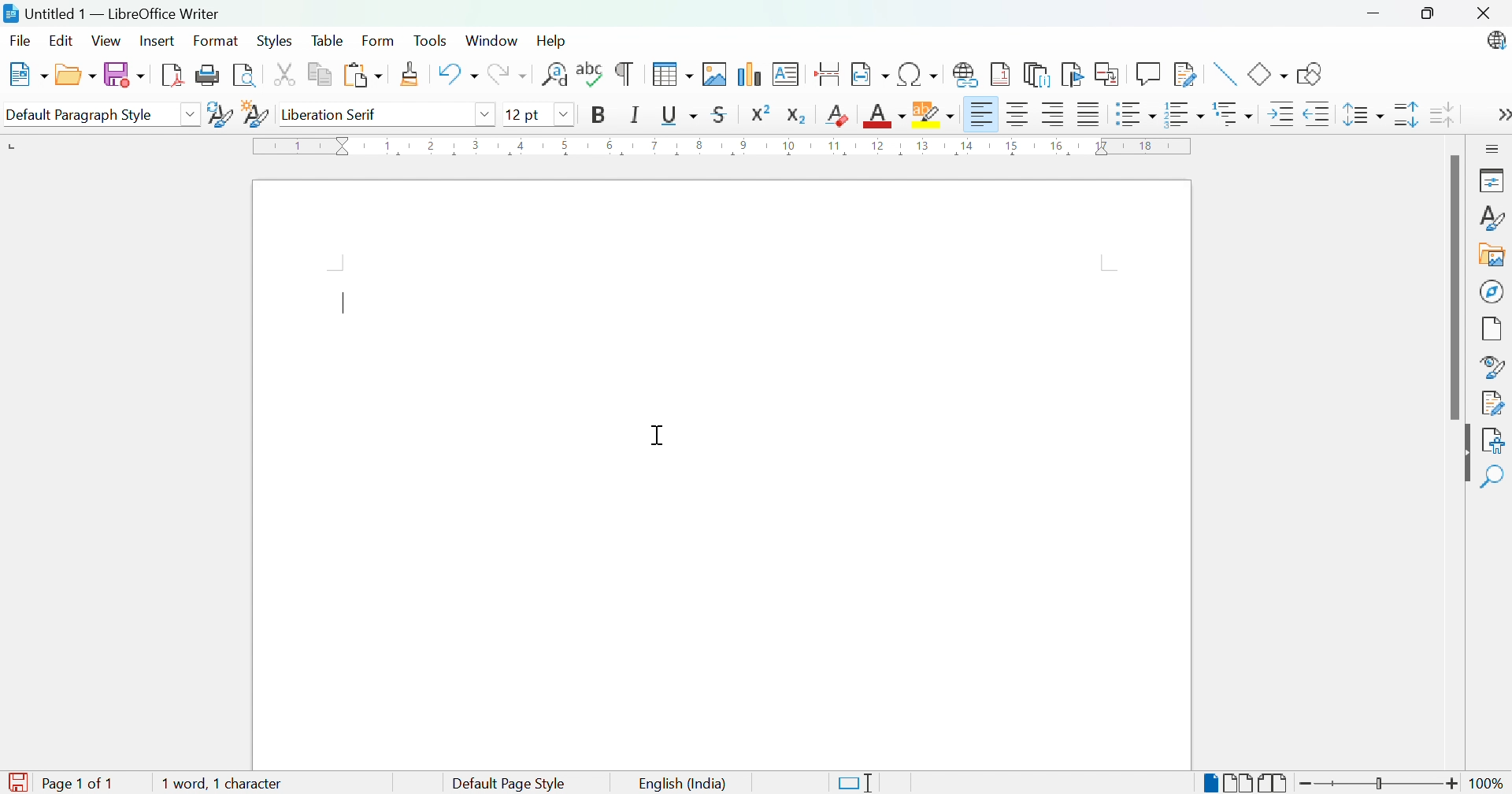 This screenshot has width=1512, height=794. What do you see at coordinates (288, 76) in the screenshot?
I see `Cut` at bounding box center [288, 76].